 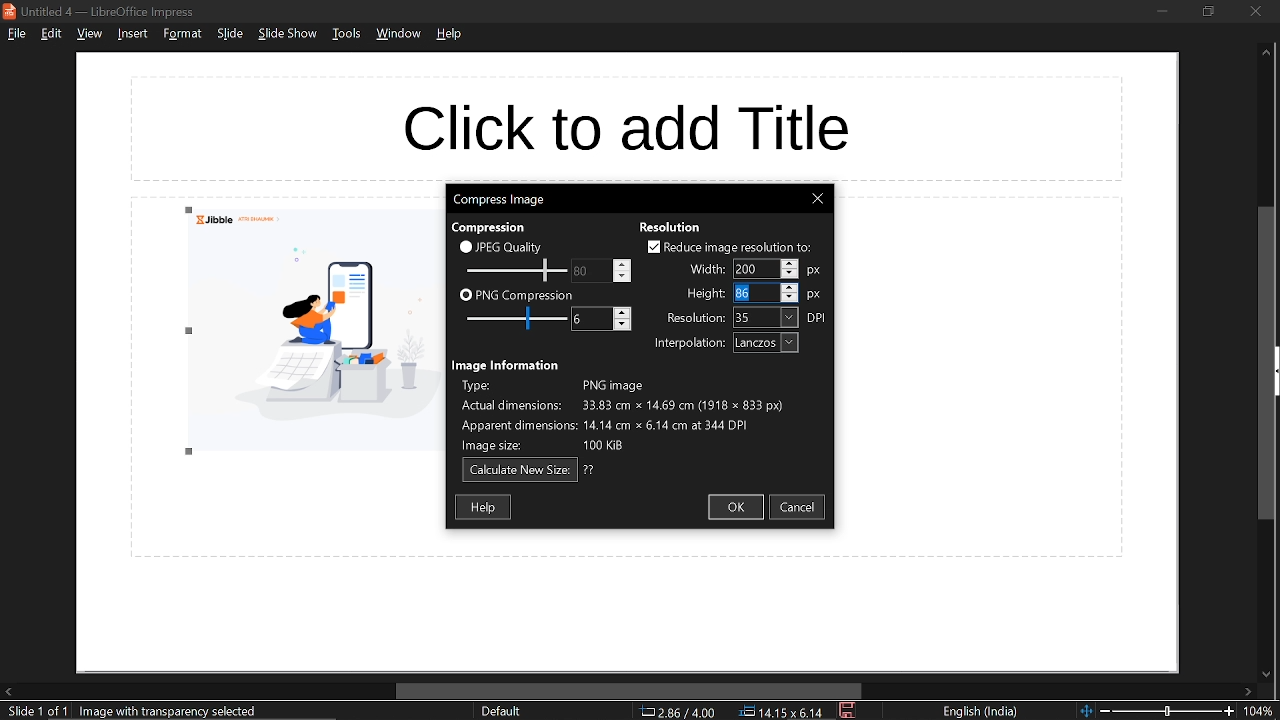 I want to click on calculate new size, so click(x=520, y=471).